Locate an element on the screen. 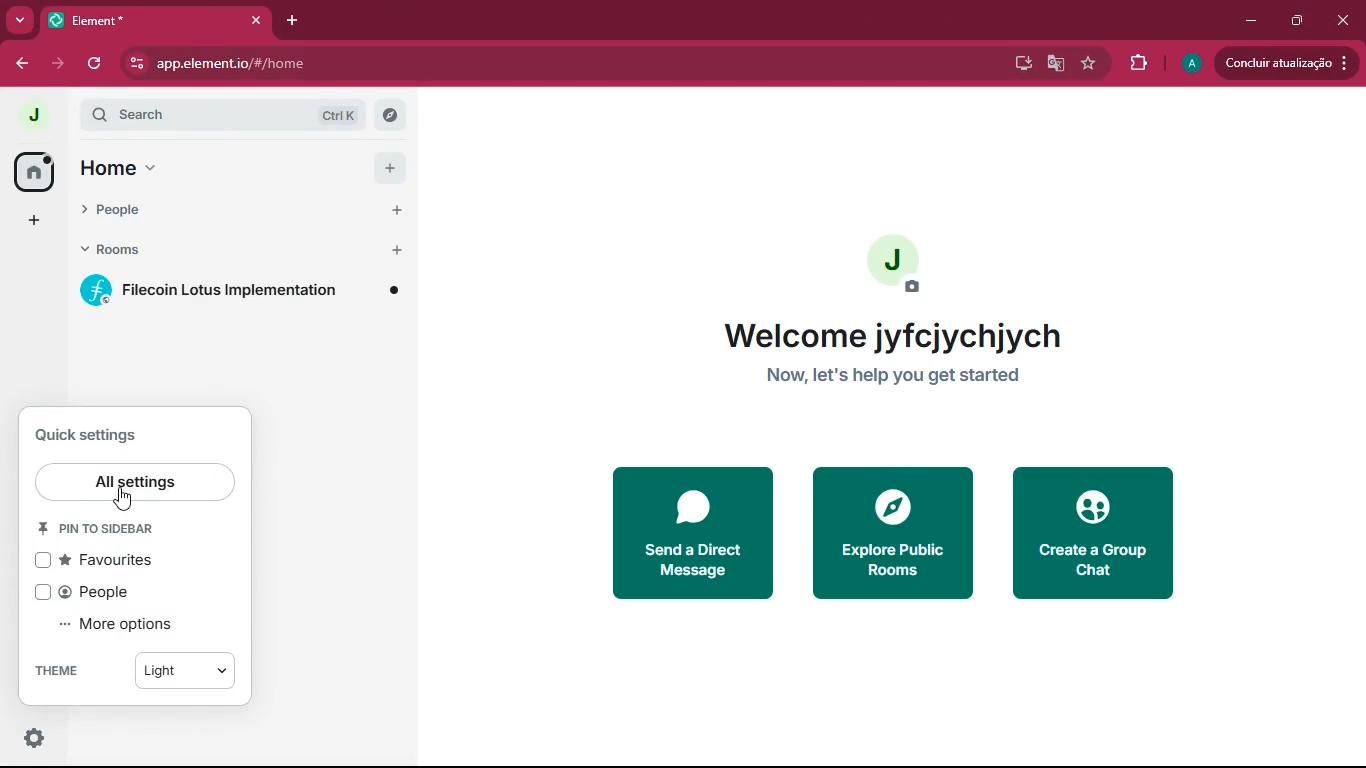  profile picture is located at coordinates (900, 260).